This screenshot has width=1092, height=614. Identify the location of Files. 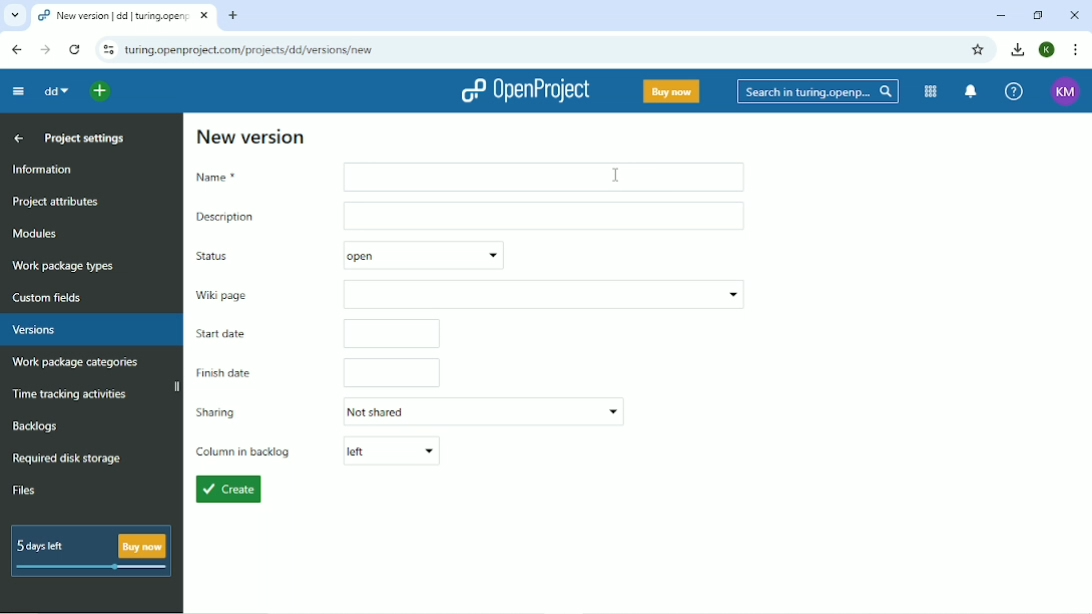
(24, 489).